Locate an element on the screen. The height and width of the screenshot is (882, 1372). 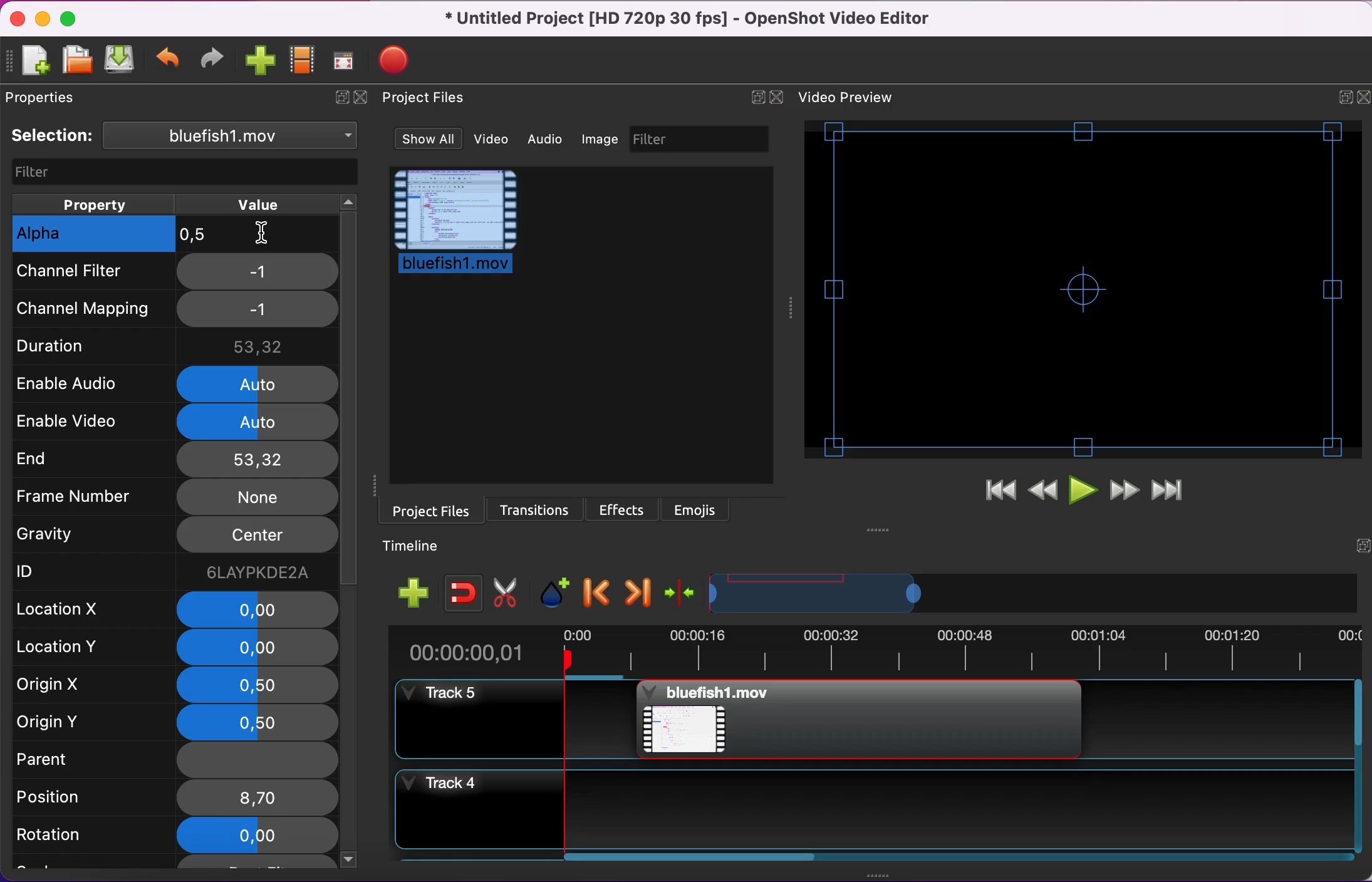
8,7 is located at coordinates (255, 798).